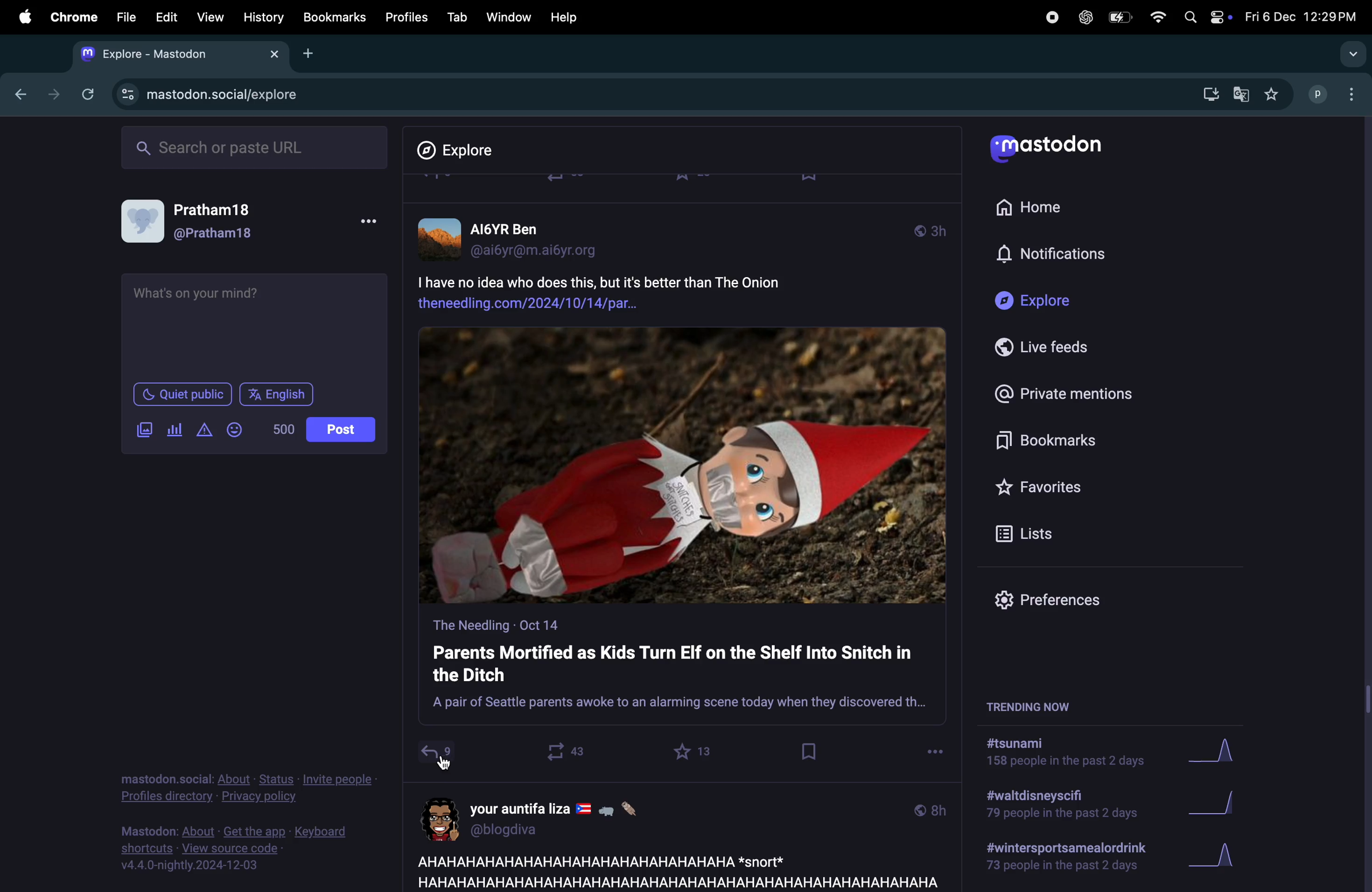 The height and width of the screenshot is (892, 1372). I want to click on Window, so click(507, 17).